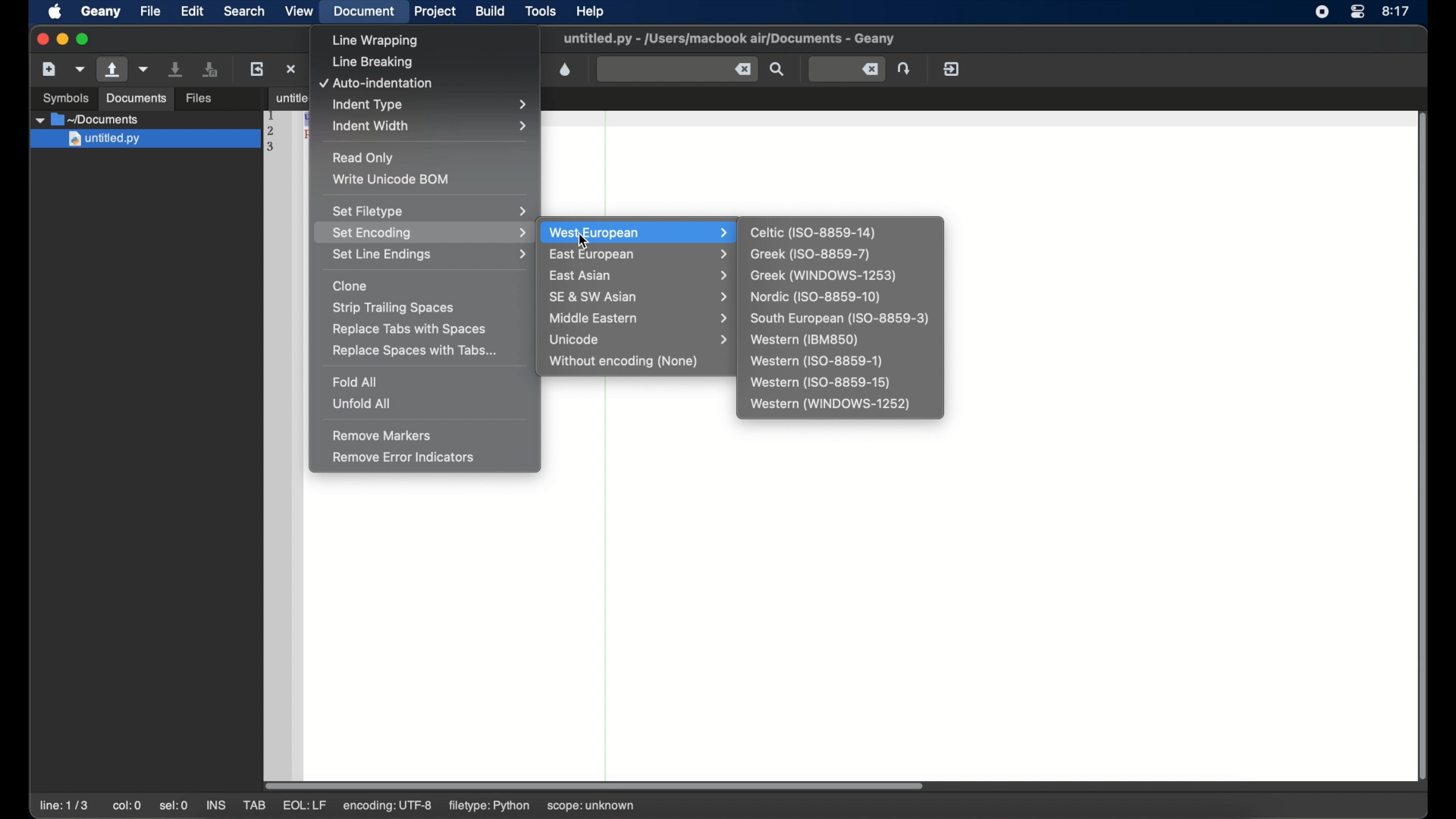  Describe the element at coordinates (820, 383) in the screenshot. I see `western` at that location.